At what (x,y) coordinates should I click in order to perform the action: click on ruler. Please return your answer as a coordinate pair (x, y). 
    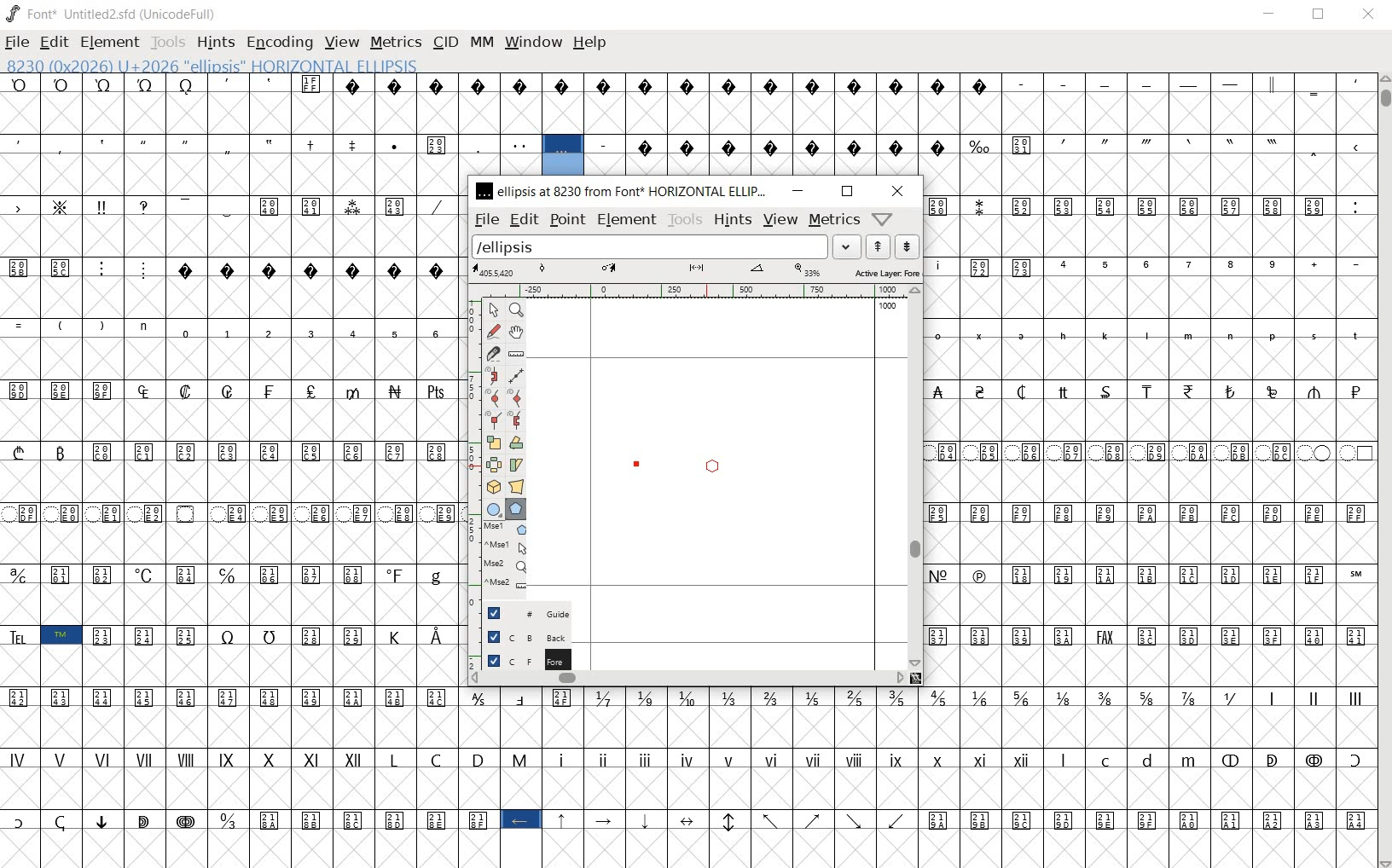
    Looking at the image, I should click on (707, 290).